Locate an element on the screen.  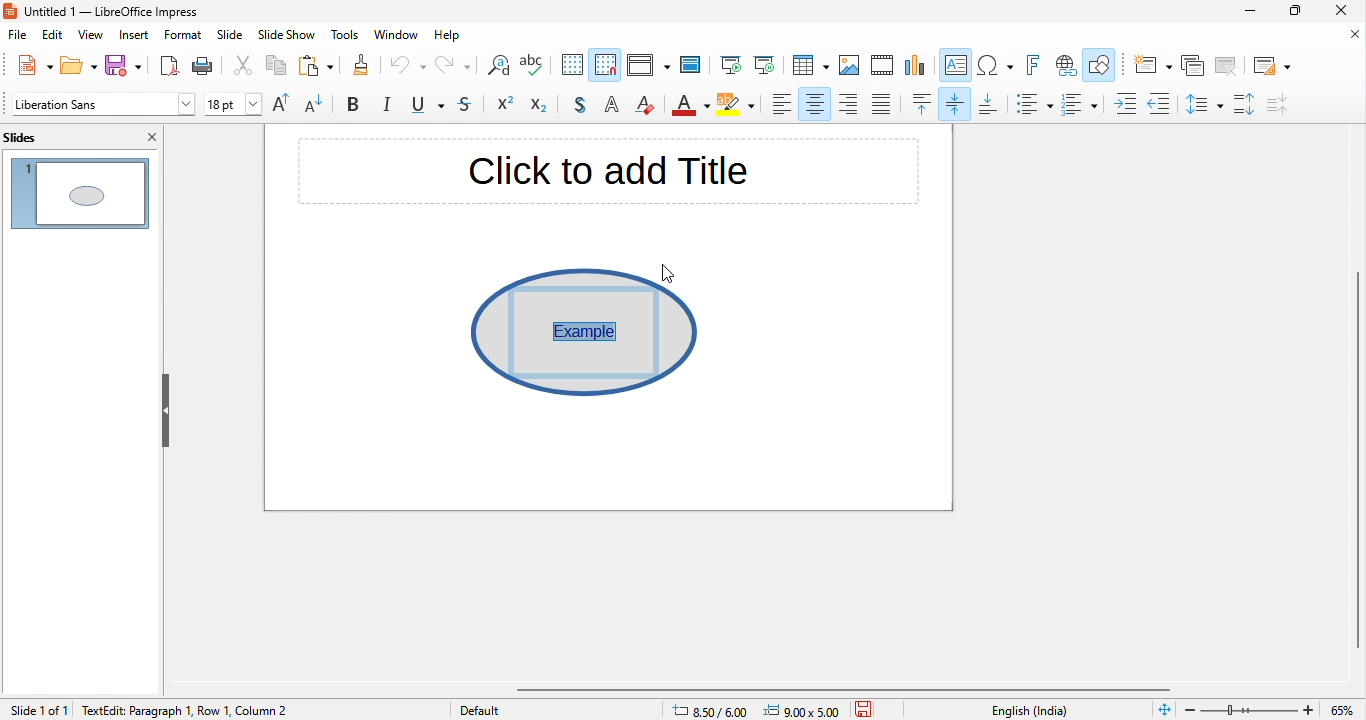
increase paragraph spacing is located at coordinates (1247, 105).